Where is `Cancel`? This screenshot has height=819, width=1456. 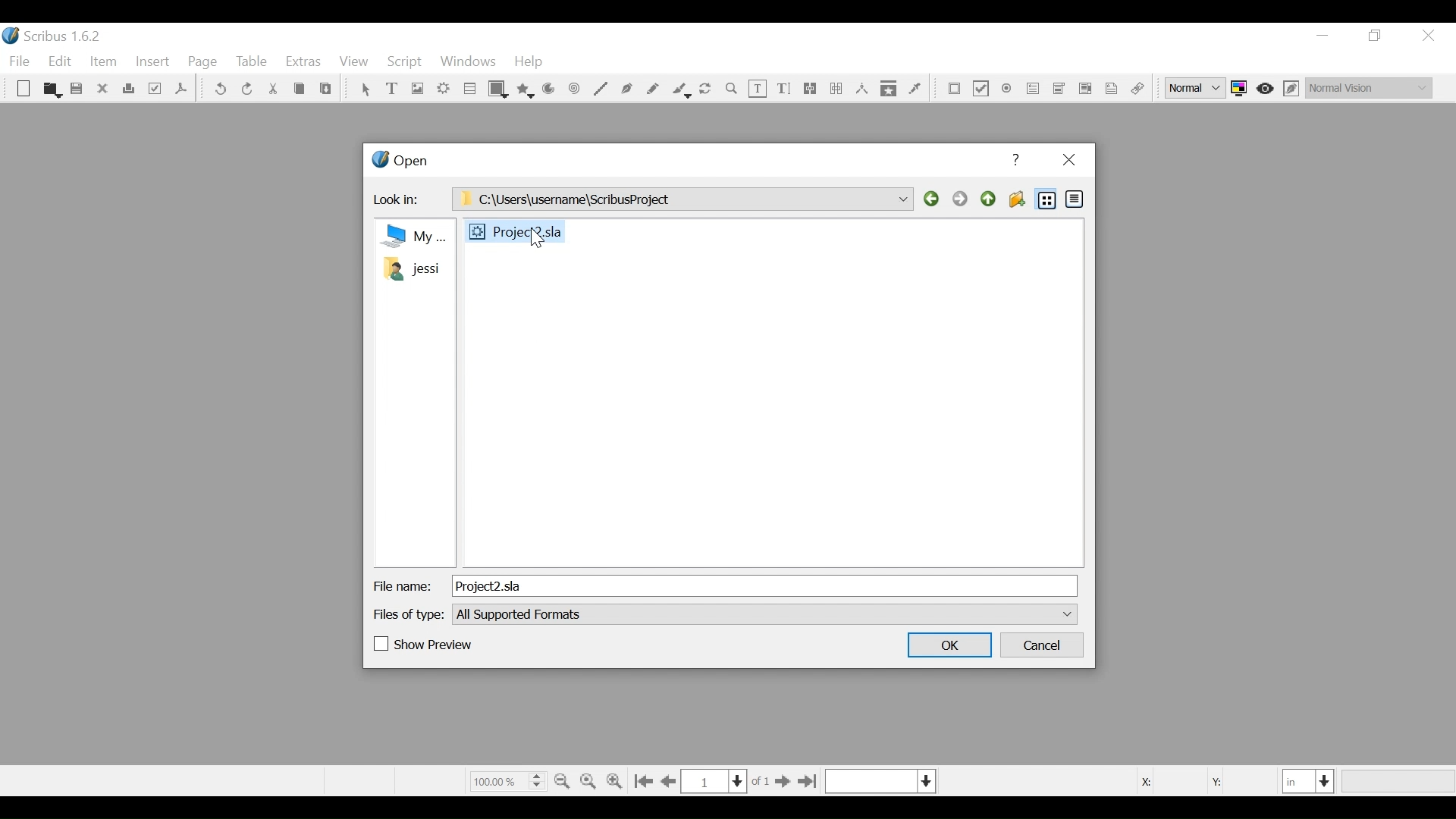 Cancel is located at coordinates (1043, 646).